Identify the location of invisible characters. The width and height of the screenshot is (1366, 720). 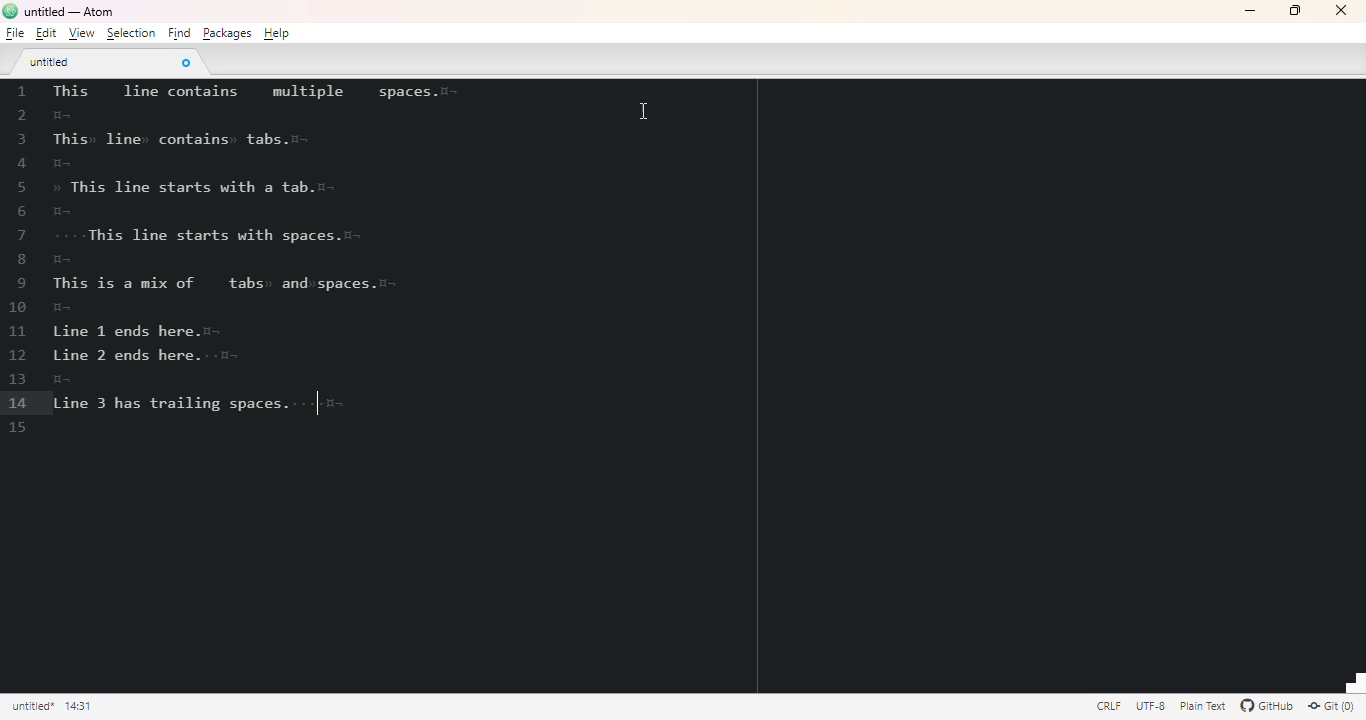
(62, 380).